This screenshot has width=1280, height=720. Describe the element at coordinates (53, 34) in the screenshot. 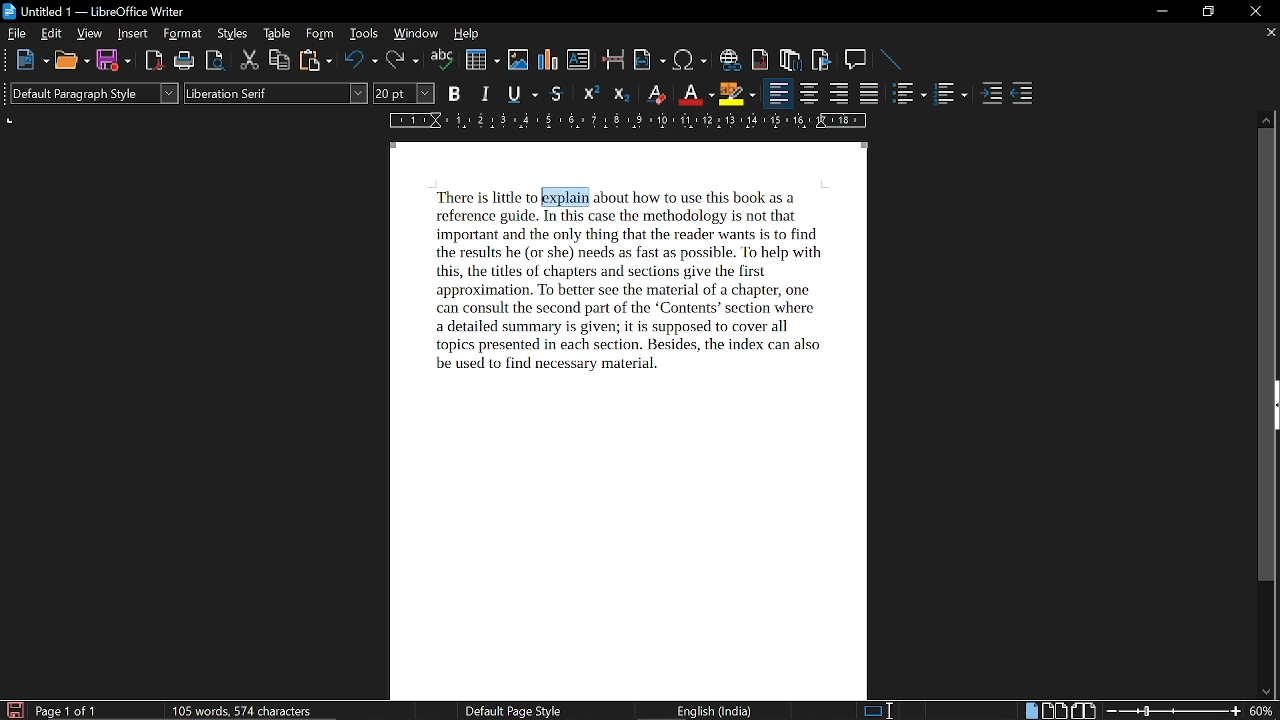

I see `edit` at that location.